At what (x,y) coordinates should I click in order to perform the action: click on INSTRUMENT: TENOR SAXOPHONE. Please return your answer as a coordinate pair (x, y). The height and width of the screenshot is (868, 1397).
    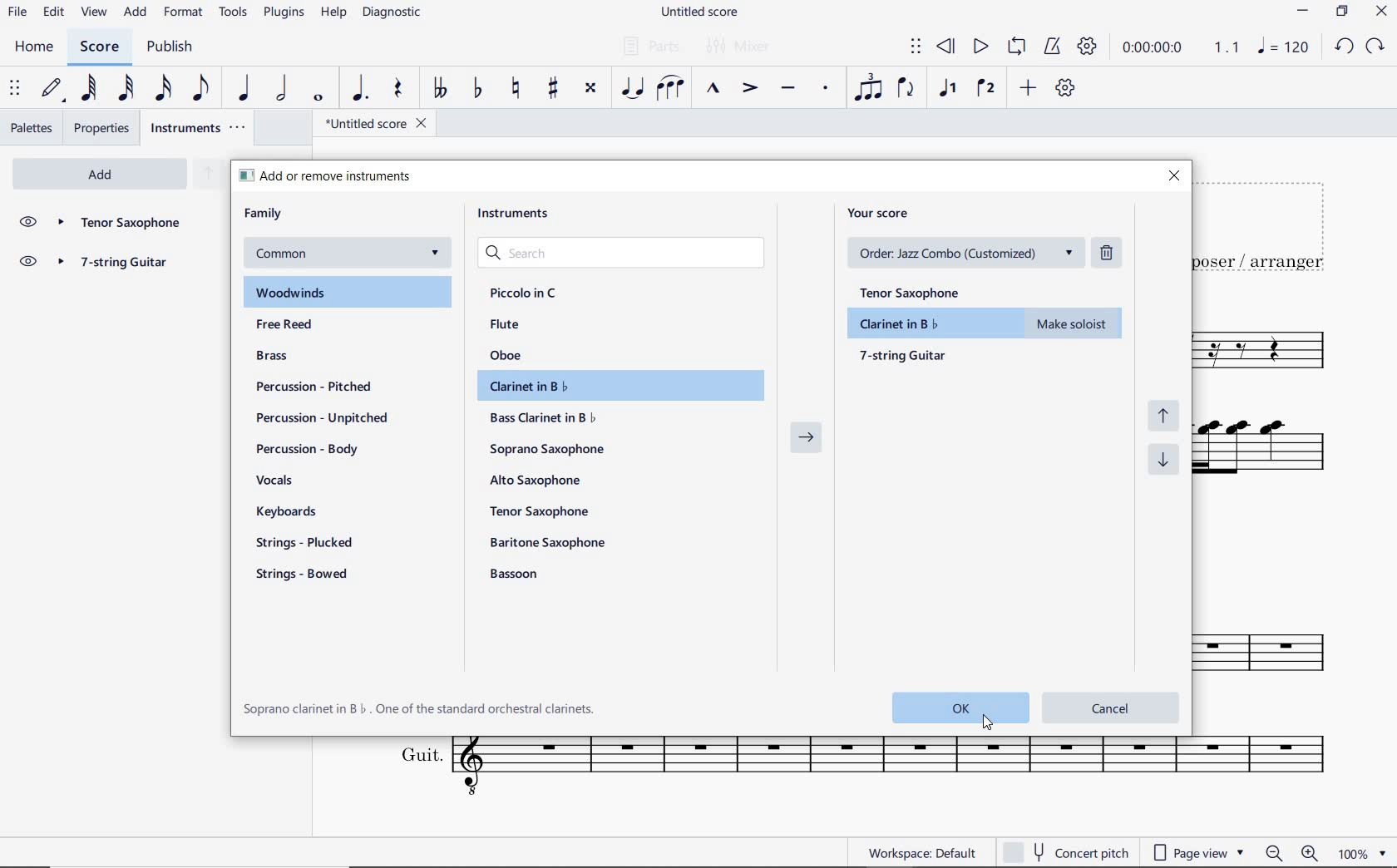
    Looking at the image, I should click on (1271, 352).